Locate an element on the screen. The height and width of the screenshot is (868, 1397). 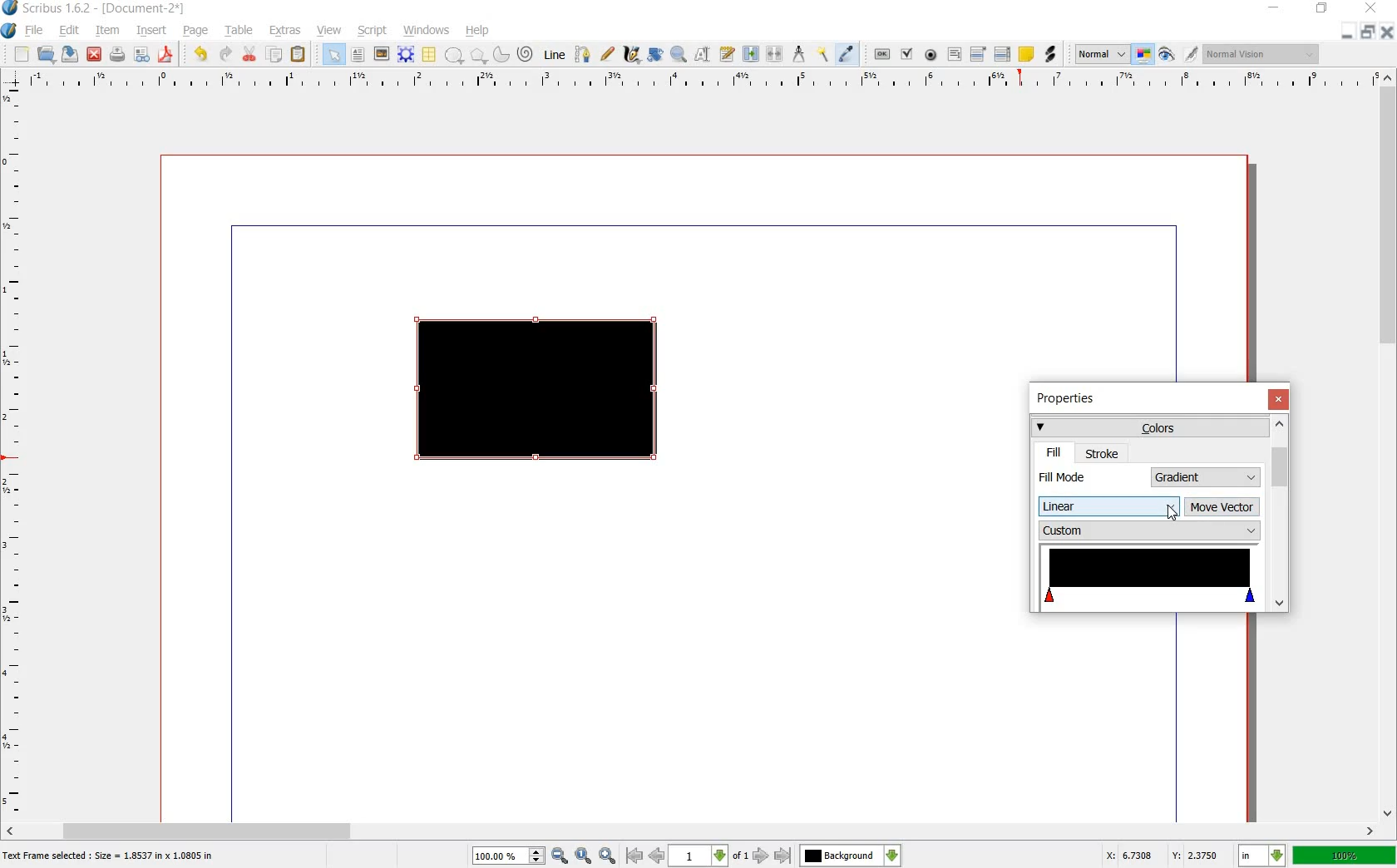
paste is located at coordinates (299, 55).